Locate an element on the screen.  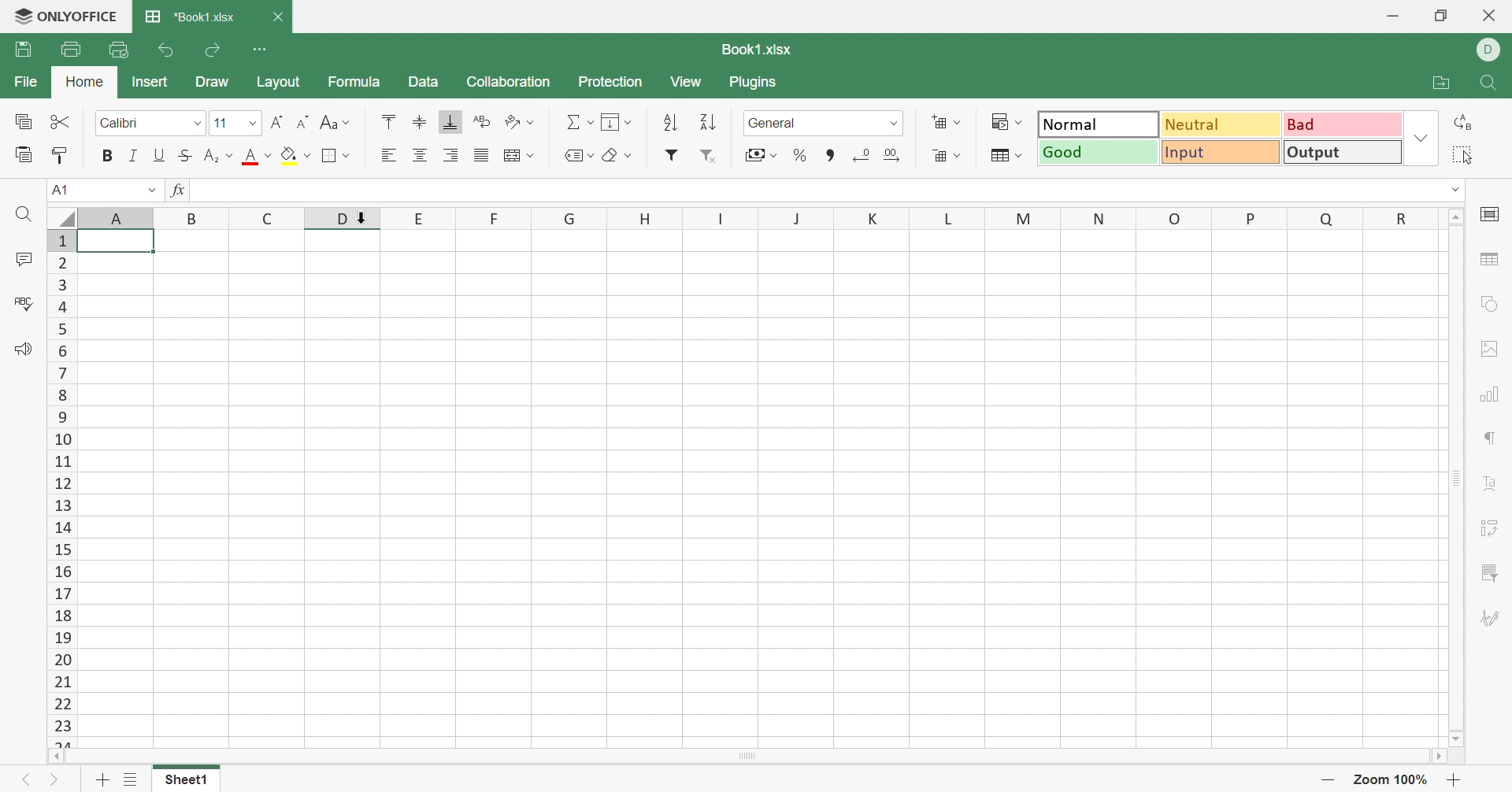
Summation is located at coordinates (572, 120).